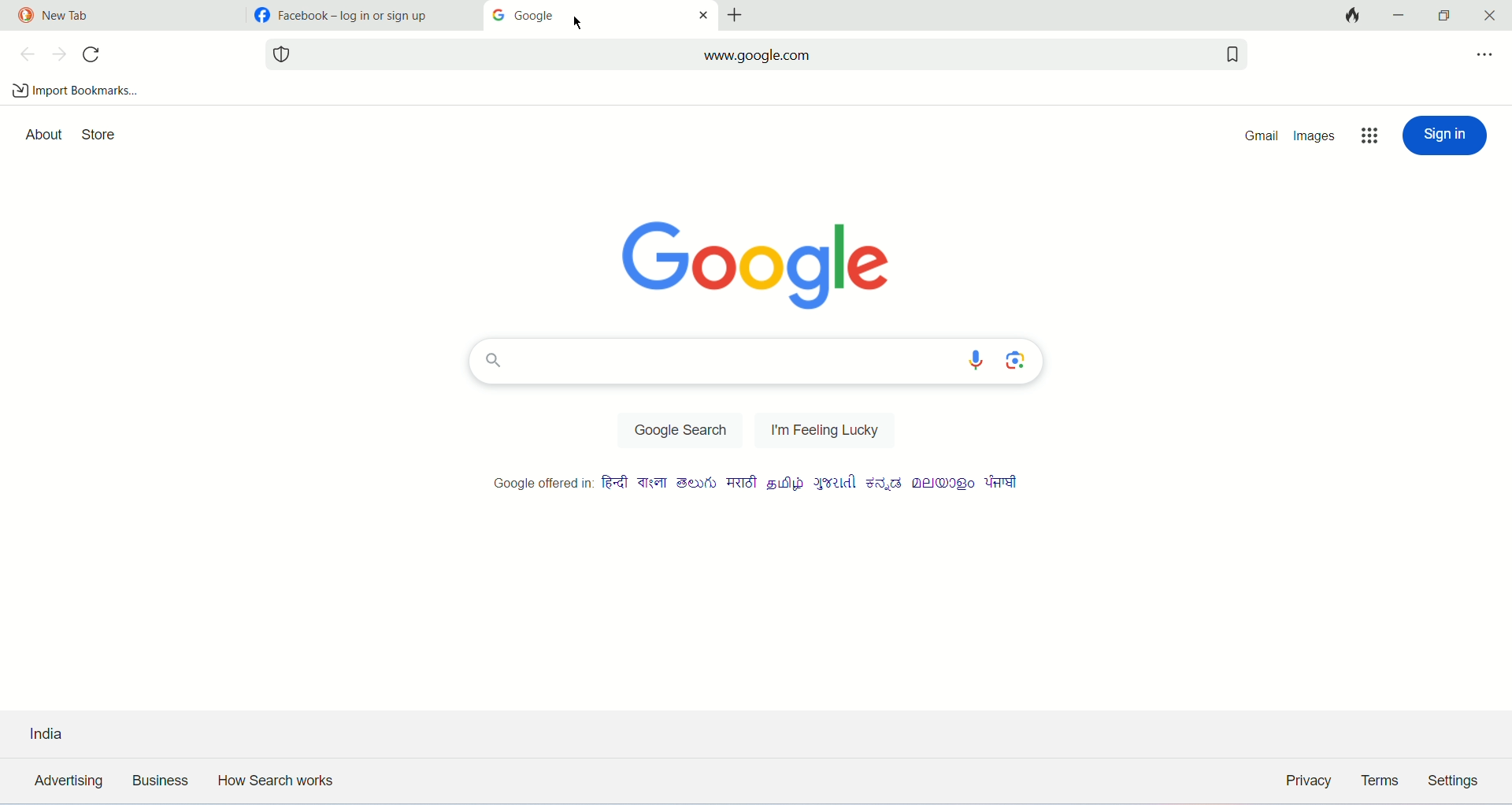 This screenshot has width=1512, height=805. Describe the element at coordinates (583, 25) in the screenshot. I see `cursor` at that location.